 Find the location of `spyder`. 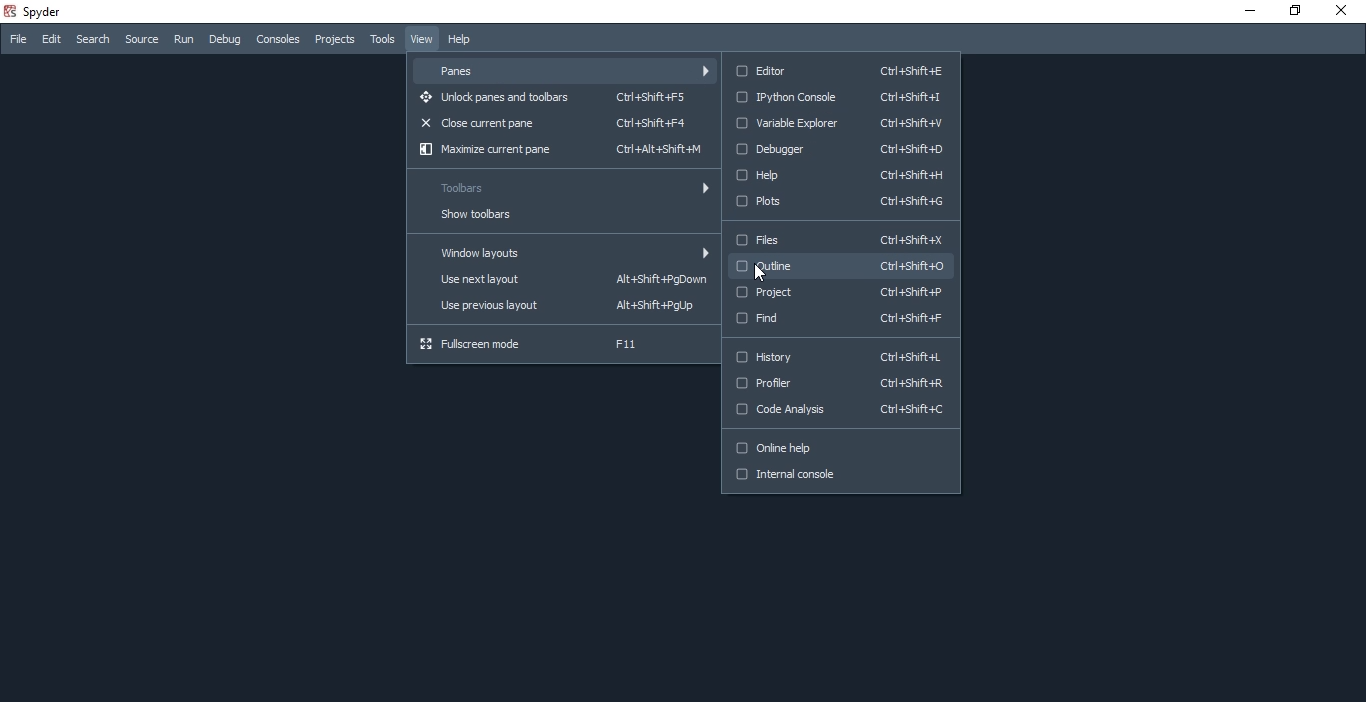

spyder is located at coordinates (37, 11).